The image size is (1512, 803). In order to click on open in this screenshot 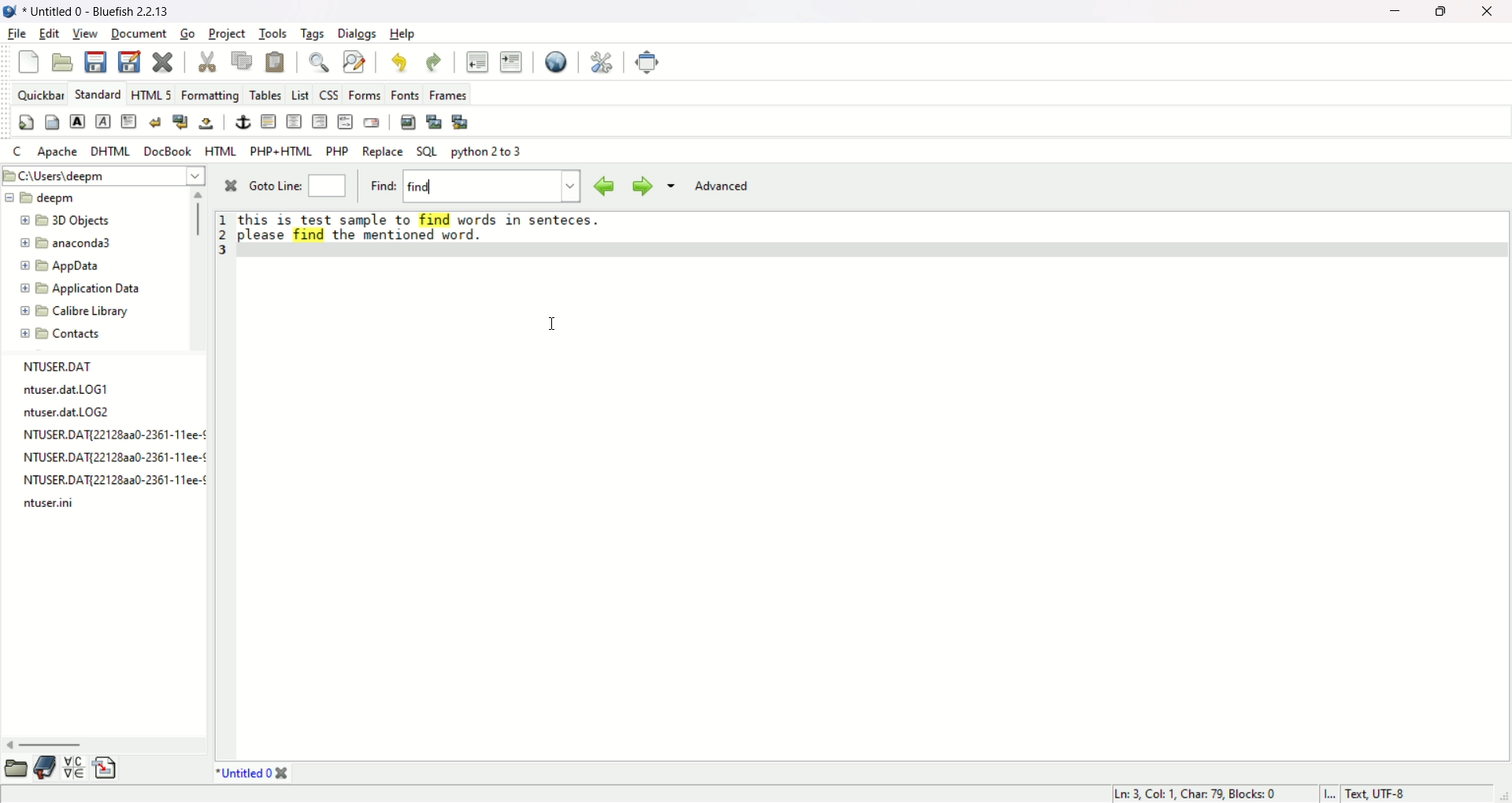, I will do `click(15, 769)`.